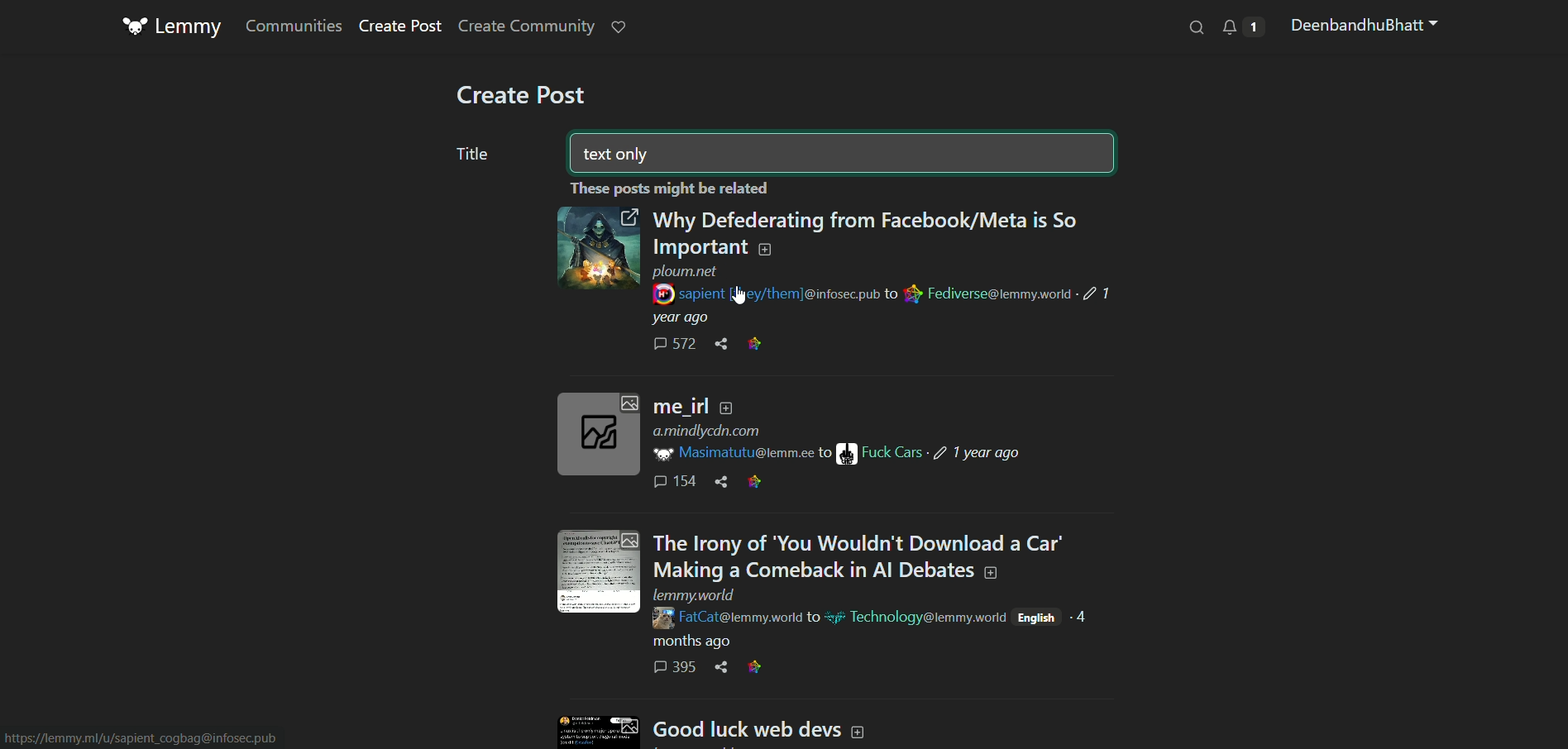  I want to click on Link to FatCat page, so click(740, 617).